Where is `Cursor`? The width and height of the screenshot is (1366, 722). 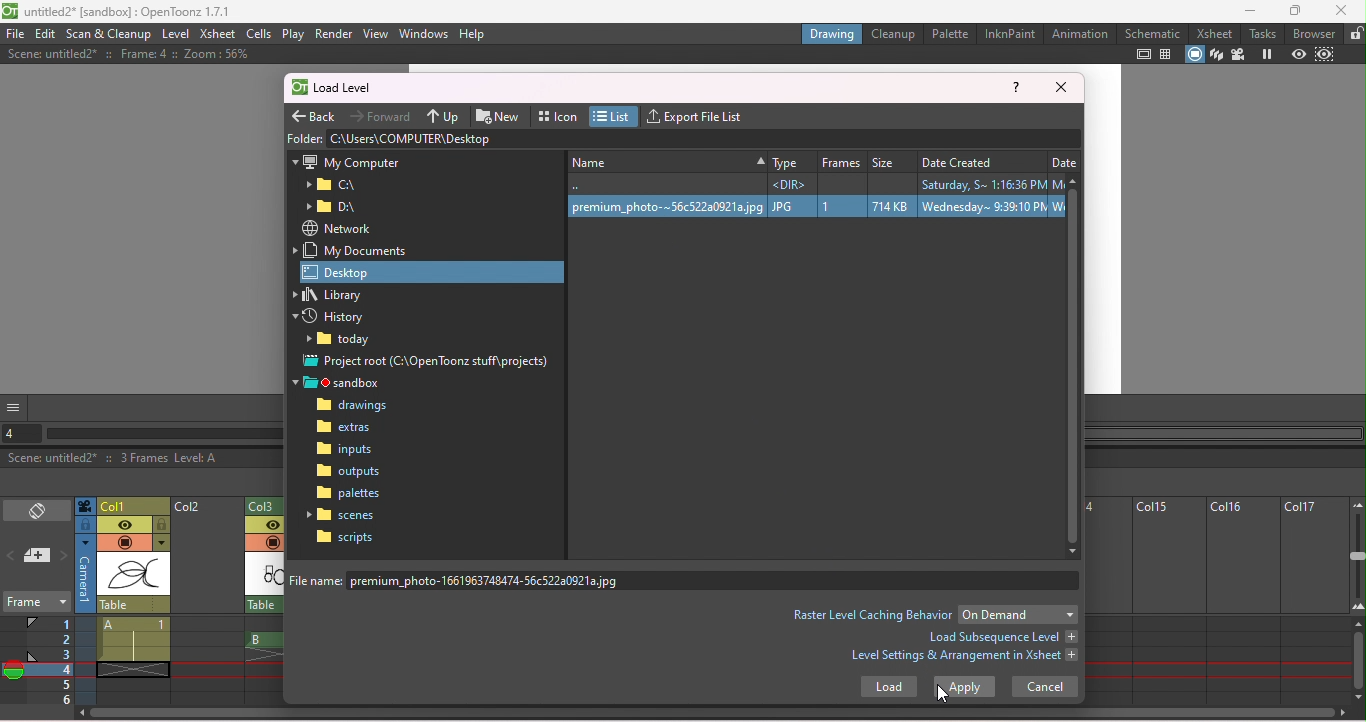 Cursor is located at coordinates (943, 693).